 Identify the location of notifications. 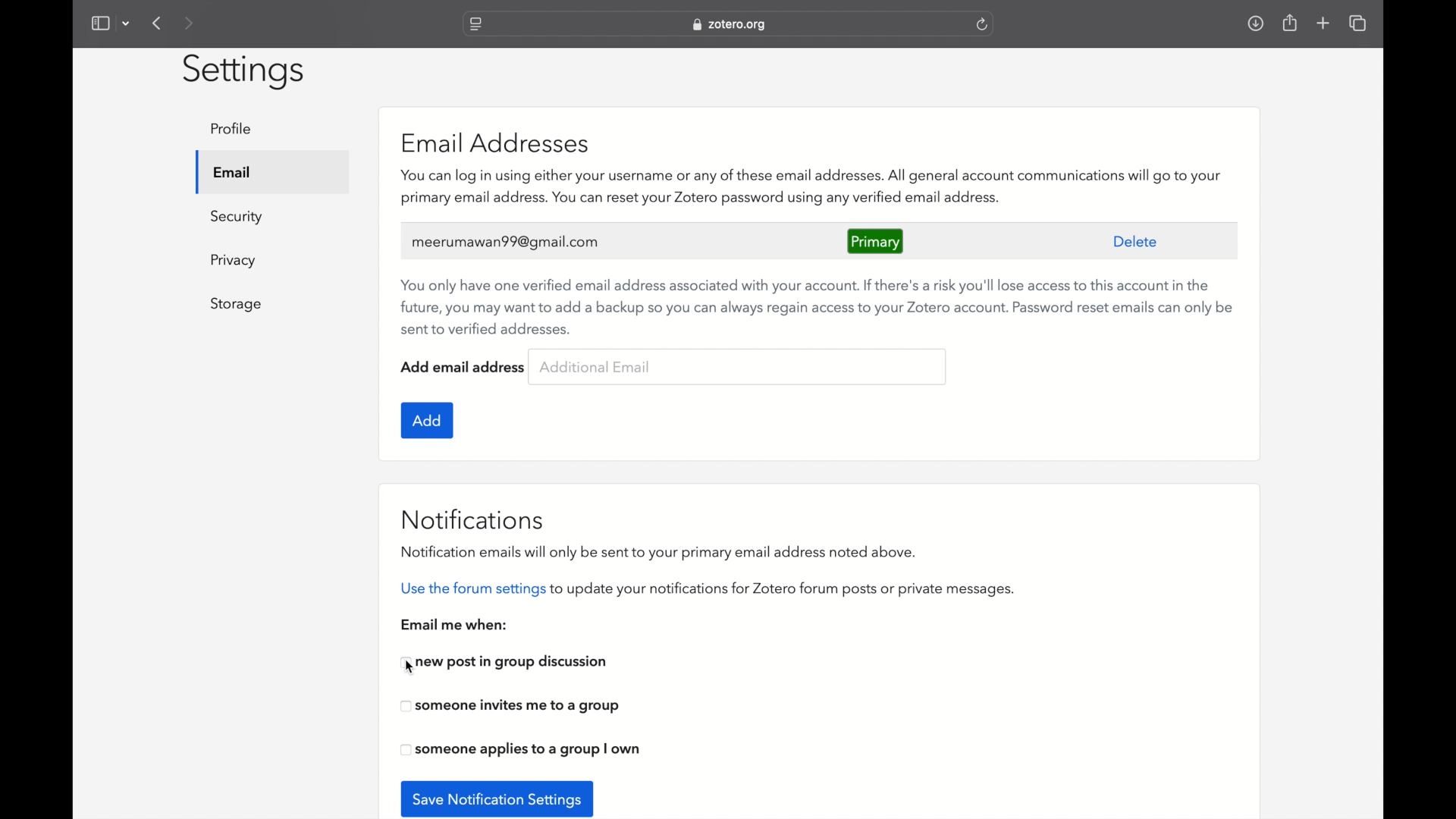
(473, 519).